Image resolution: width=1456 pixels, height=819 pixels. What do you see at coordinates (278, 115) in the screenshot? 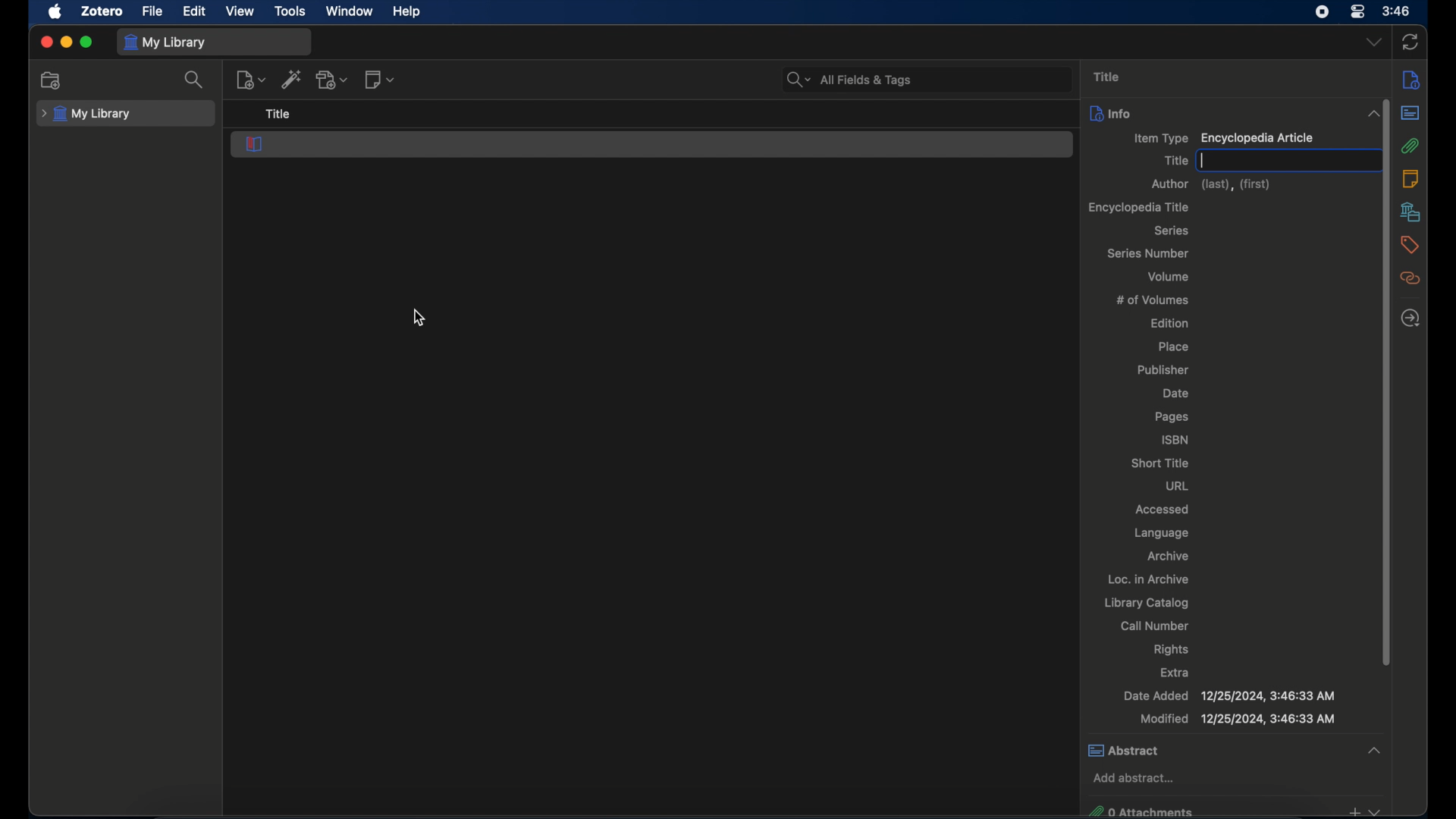
I see `title` at bounding box center [278, 115].